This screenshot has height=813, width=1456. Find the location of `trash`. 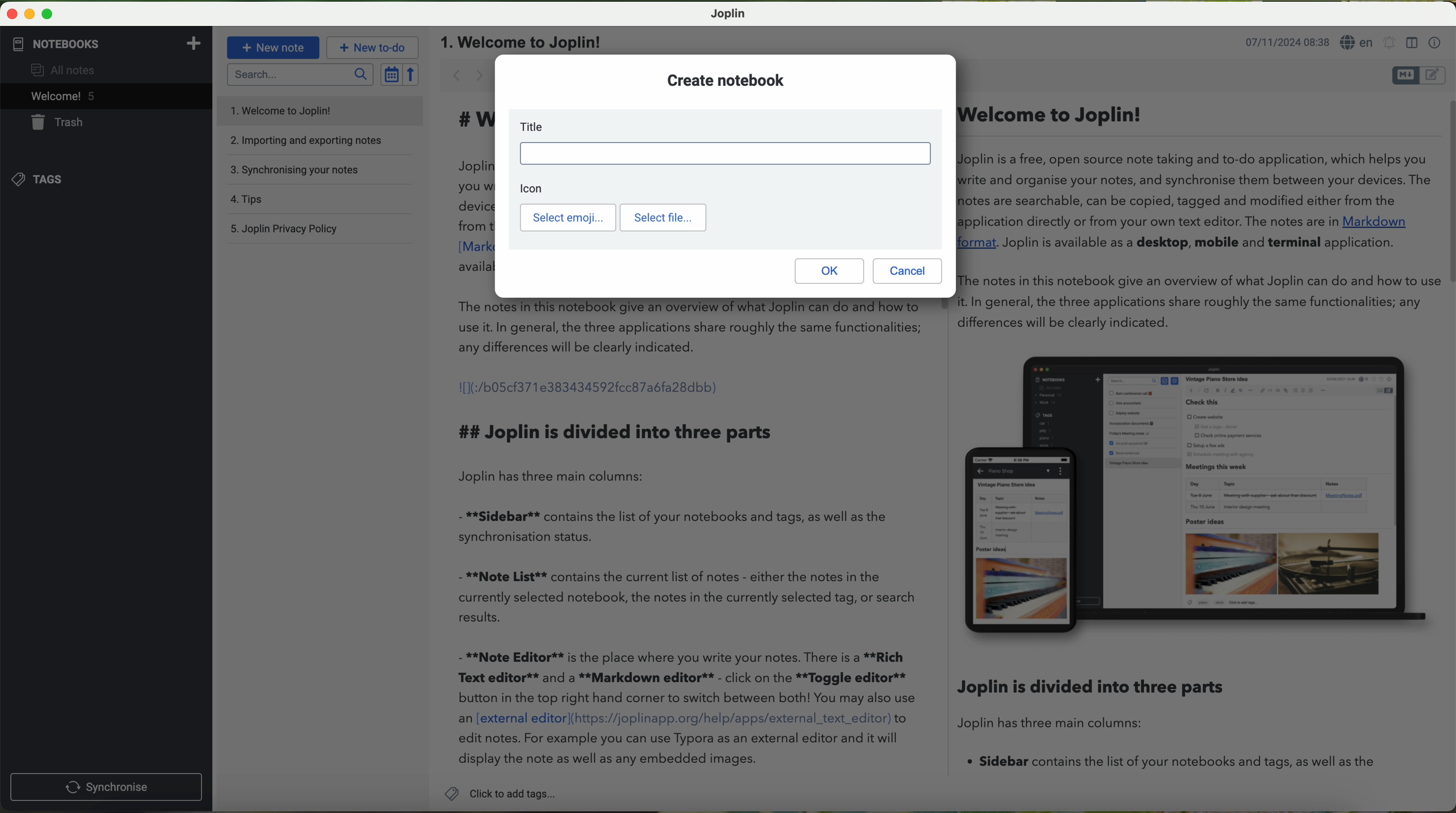

trash is located at coordinates (51, 122).